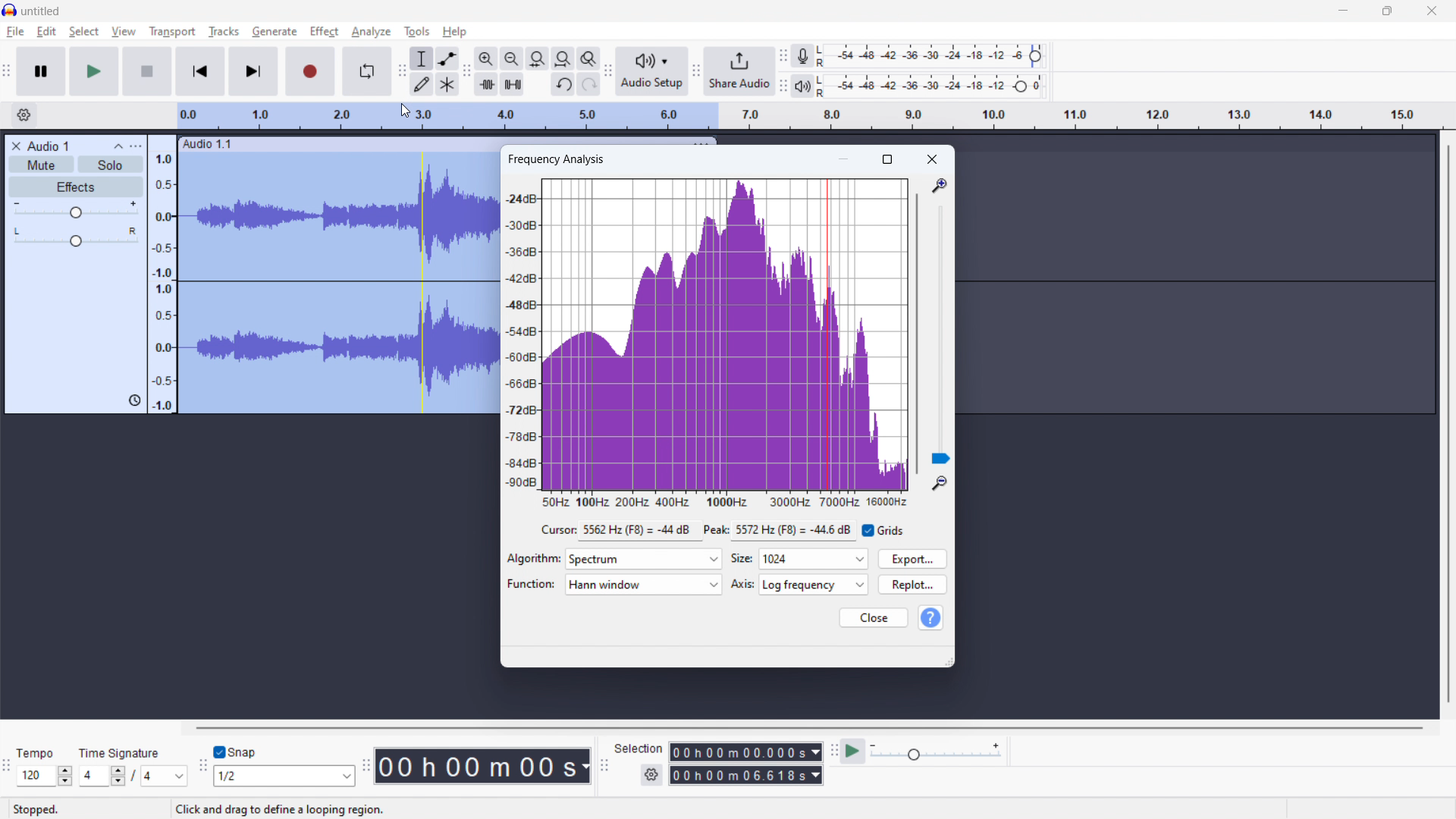 The image size is (1456, 819). What do you see at coordinates (783, 55) in the screenshot?
I see `recording meter toolbar` at bounding box center [783, 55].